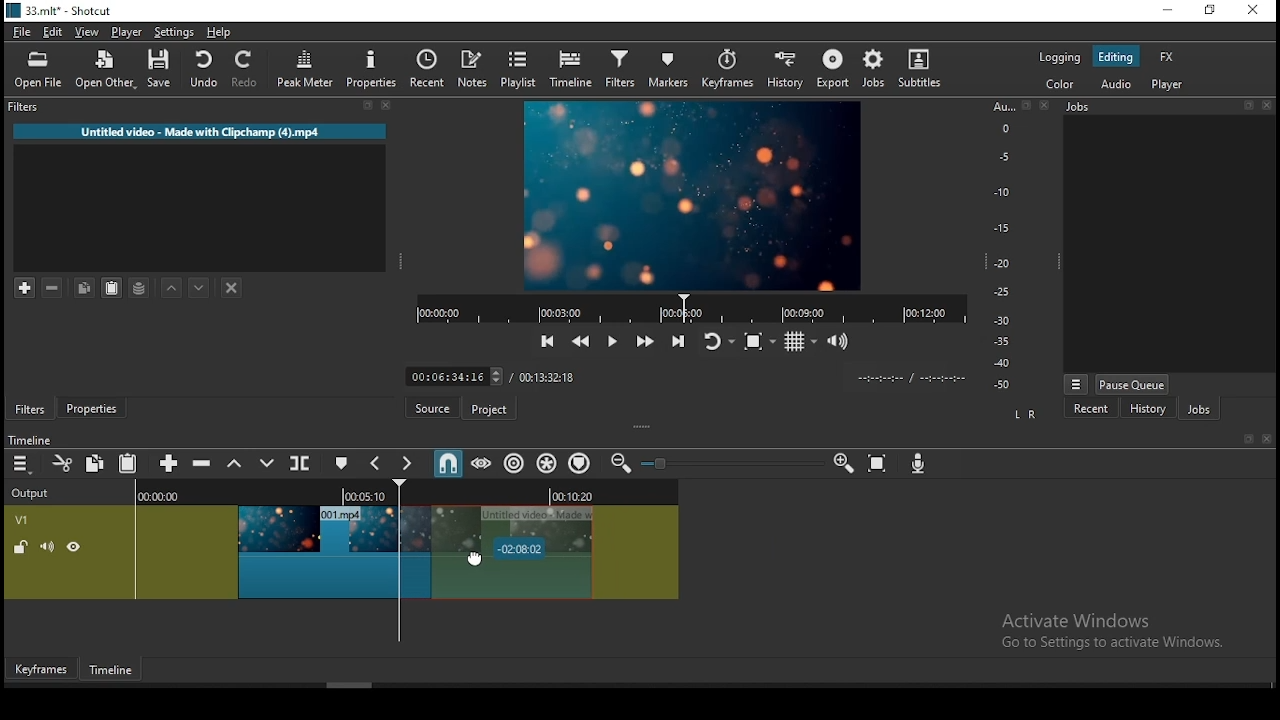 This screenshot has width=1280, height=720. What do you see at coordinates (430, 408) in the screenshot?
I see `Source` at bounding box center [430, 408].